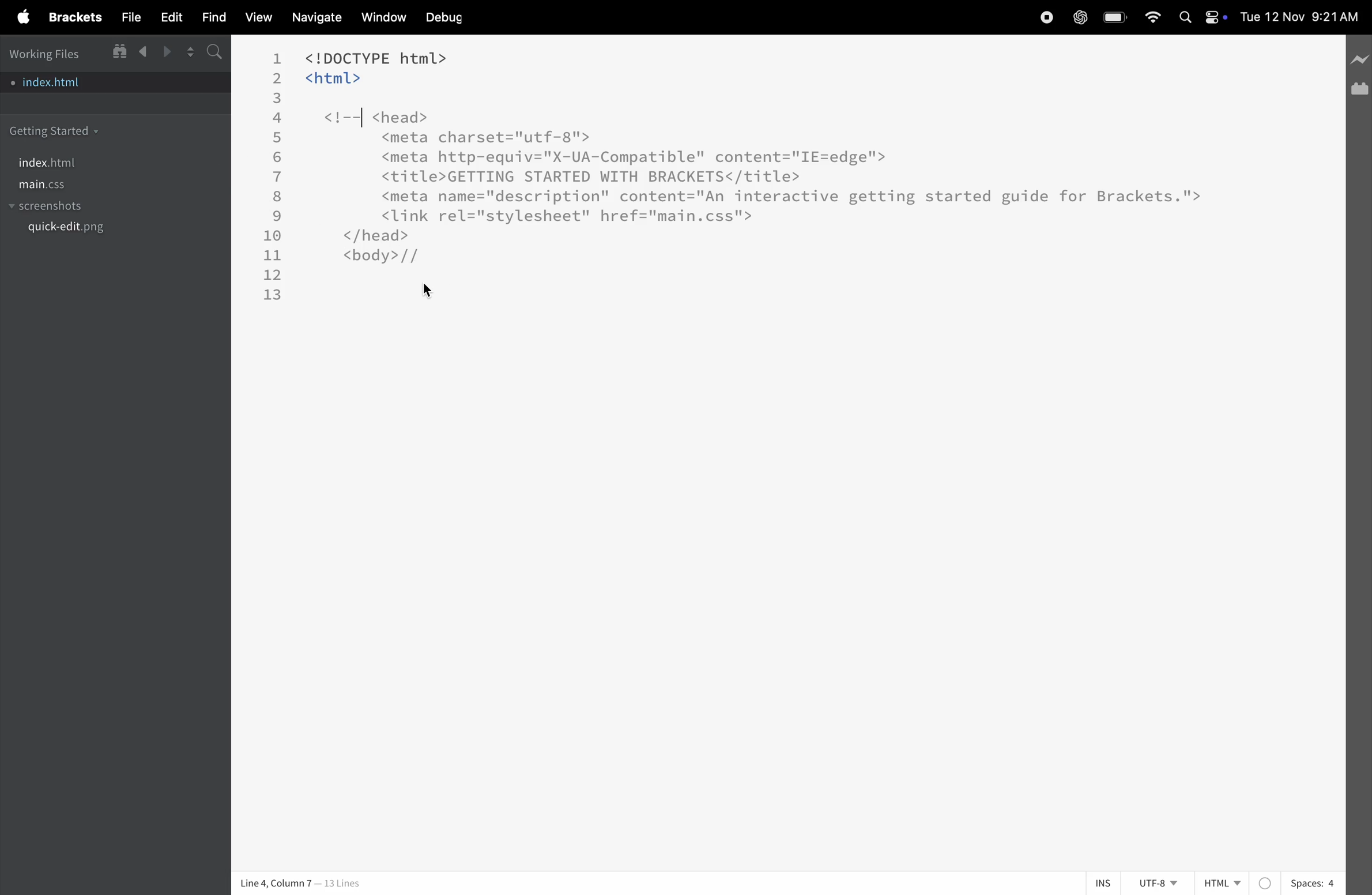  Describe the element at coordinates (1237, 883) in the screenshot. I see `Html ` at that location.